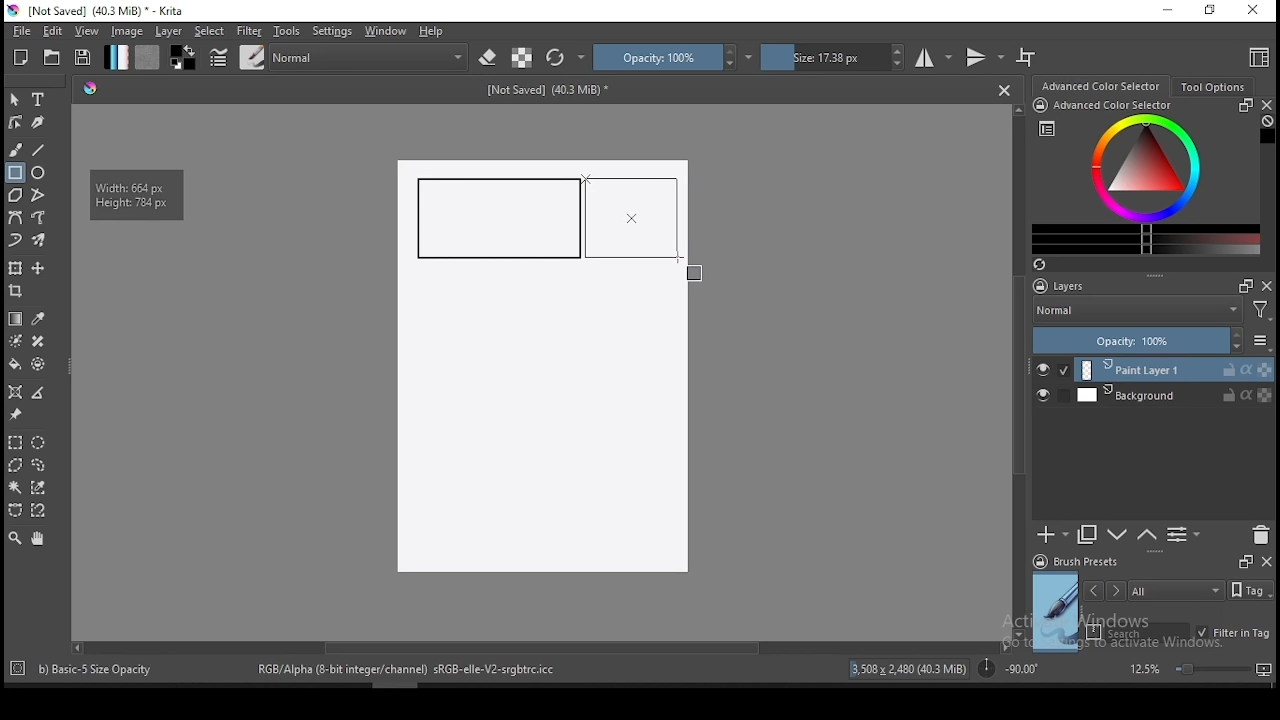 The width and height of the screenshot is (1280, 720). What do you see at coordinates (15, 241) in the screenshot?
I see `dynamic brush tool` at bounding box center [15, 241].